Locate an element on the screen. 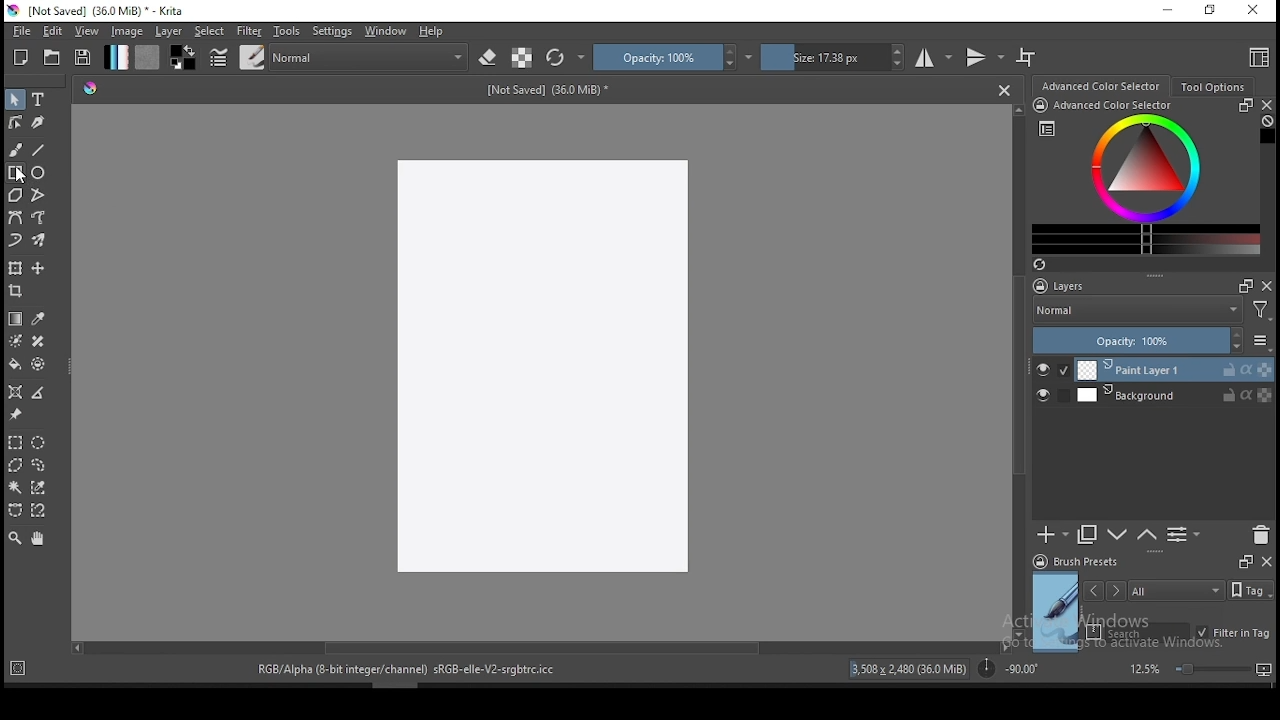 Image resolution: width=1280 pixels, height=720 pixels. pan tool is located at coordinates (36, 539).